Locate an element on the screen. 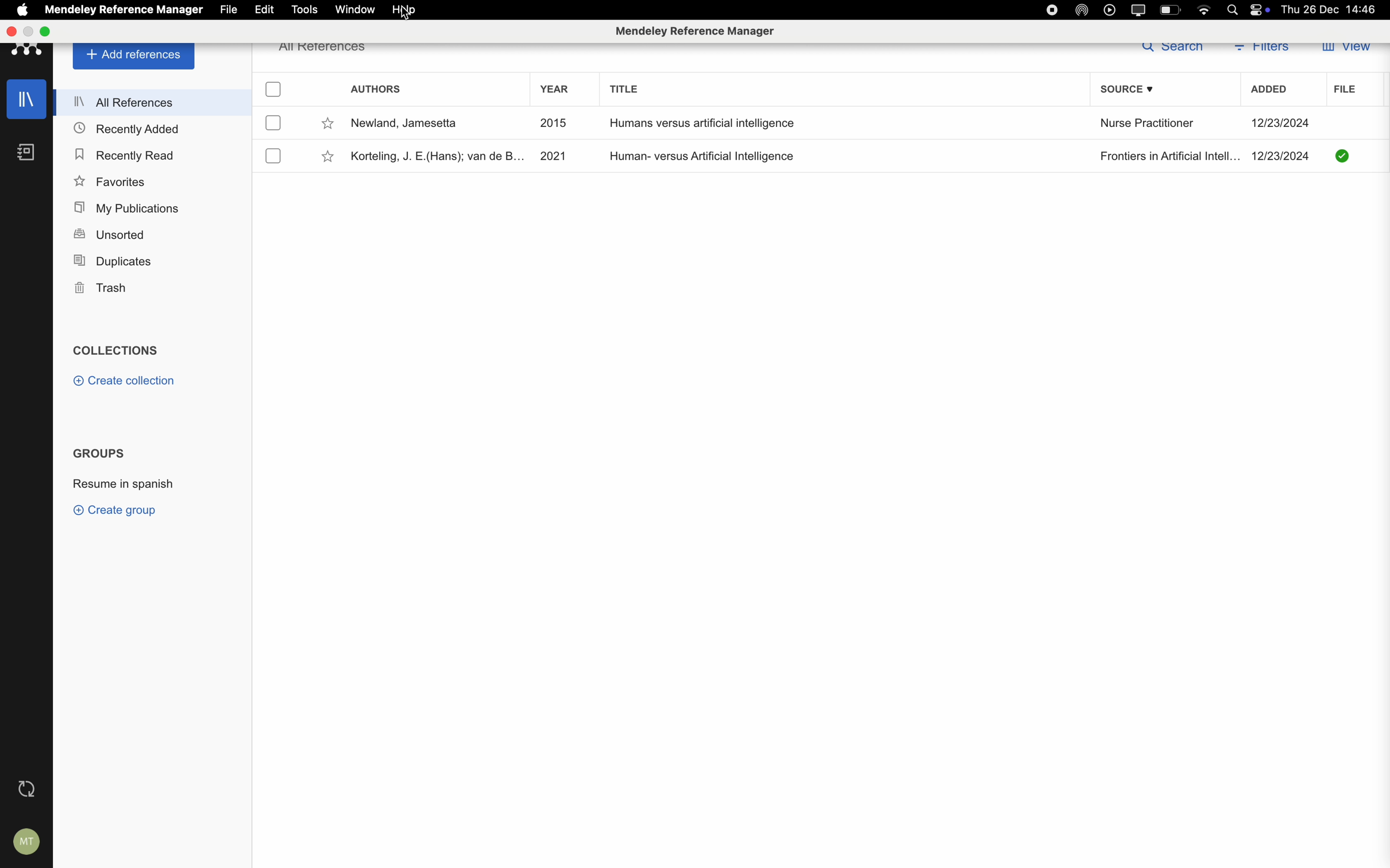 The width and height of the screenshot is (1390, 868). All References is located at coordinates (151, 102).